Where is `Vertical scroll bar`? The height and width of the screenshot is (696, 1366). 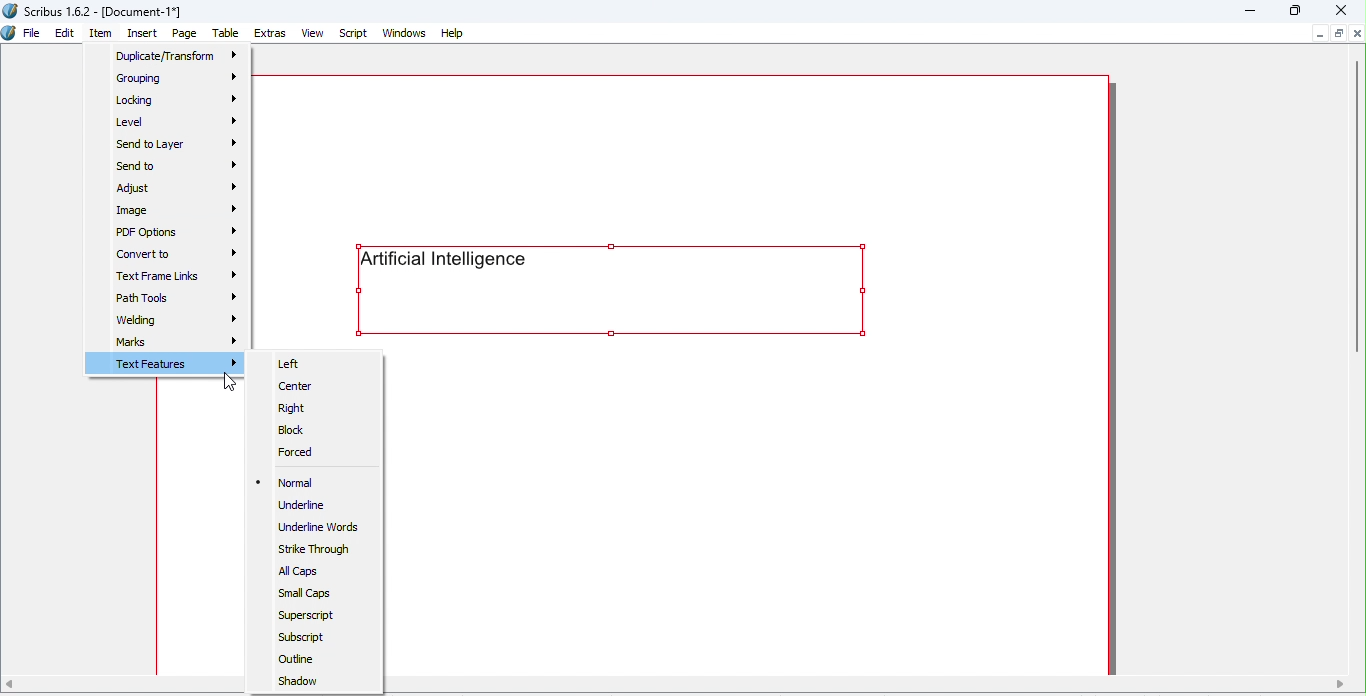 Vertical scroll bar is located at coordinates (1358, 206).